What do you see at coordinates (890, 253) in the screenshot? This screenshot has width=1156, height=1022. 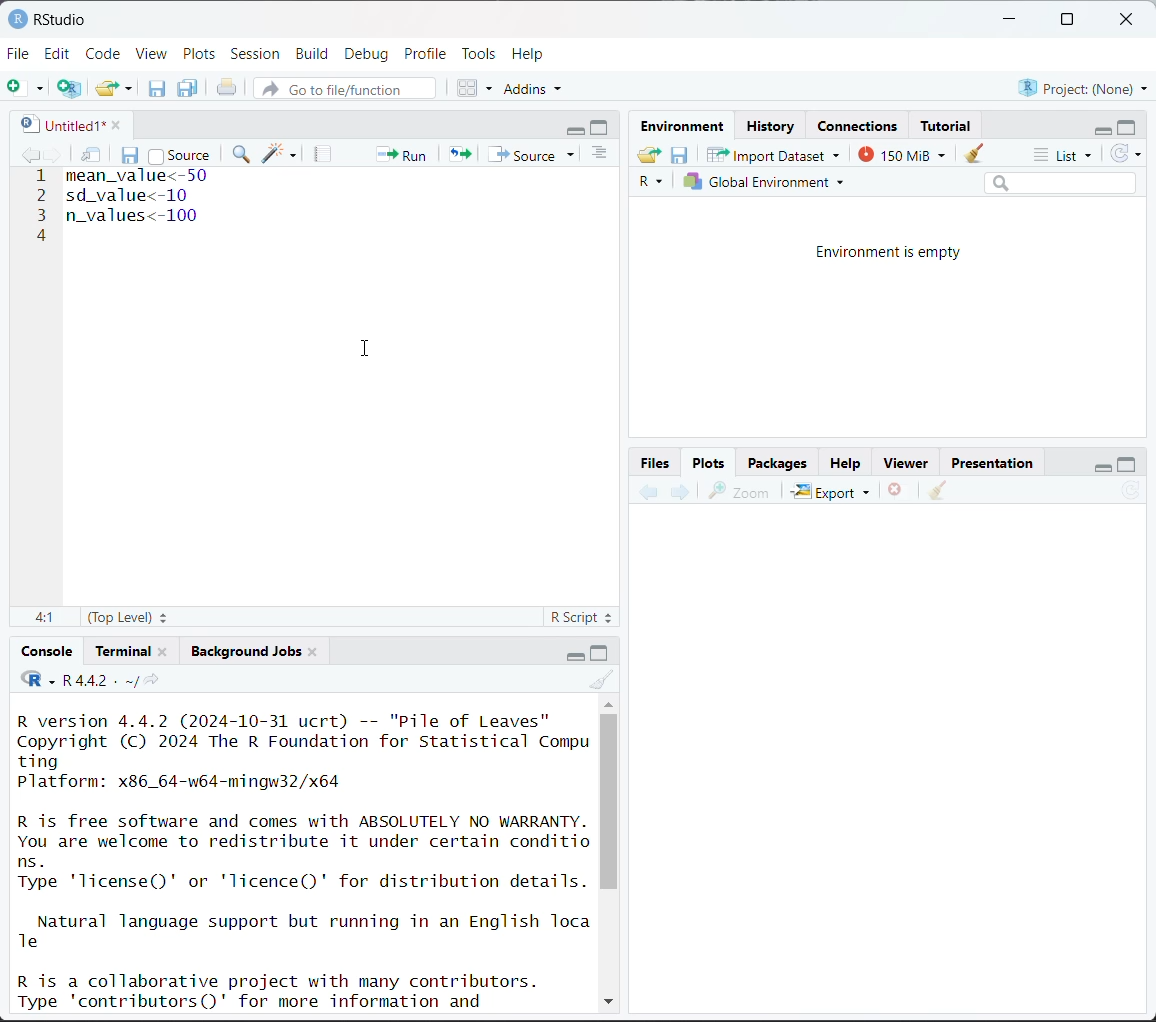 I see `Environment is empty` at bounding box center [890, 253].